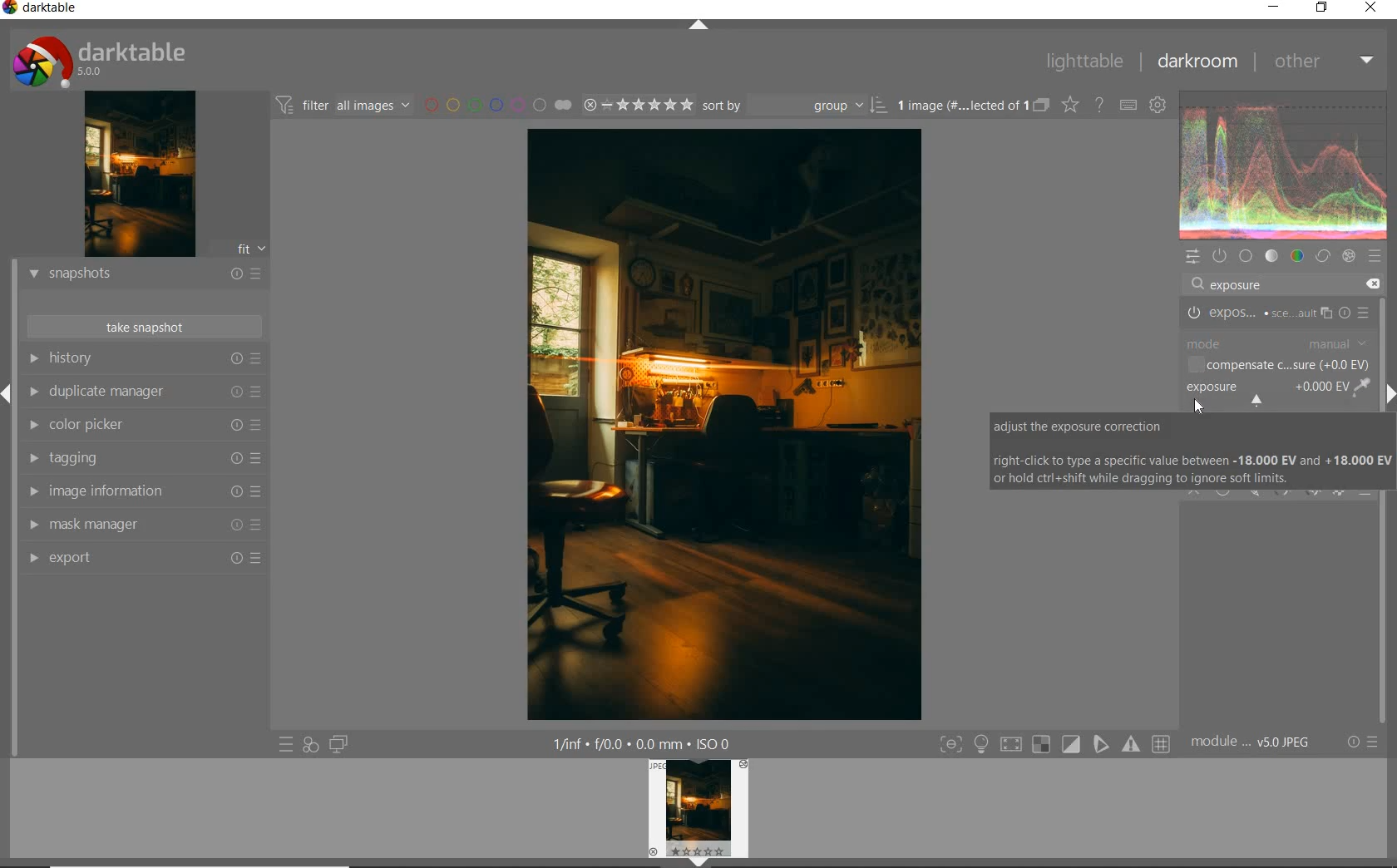  I want to click on display a second darkroom image below, so click(338, 742).